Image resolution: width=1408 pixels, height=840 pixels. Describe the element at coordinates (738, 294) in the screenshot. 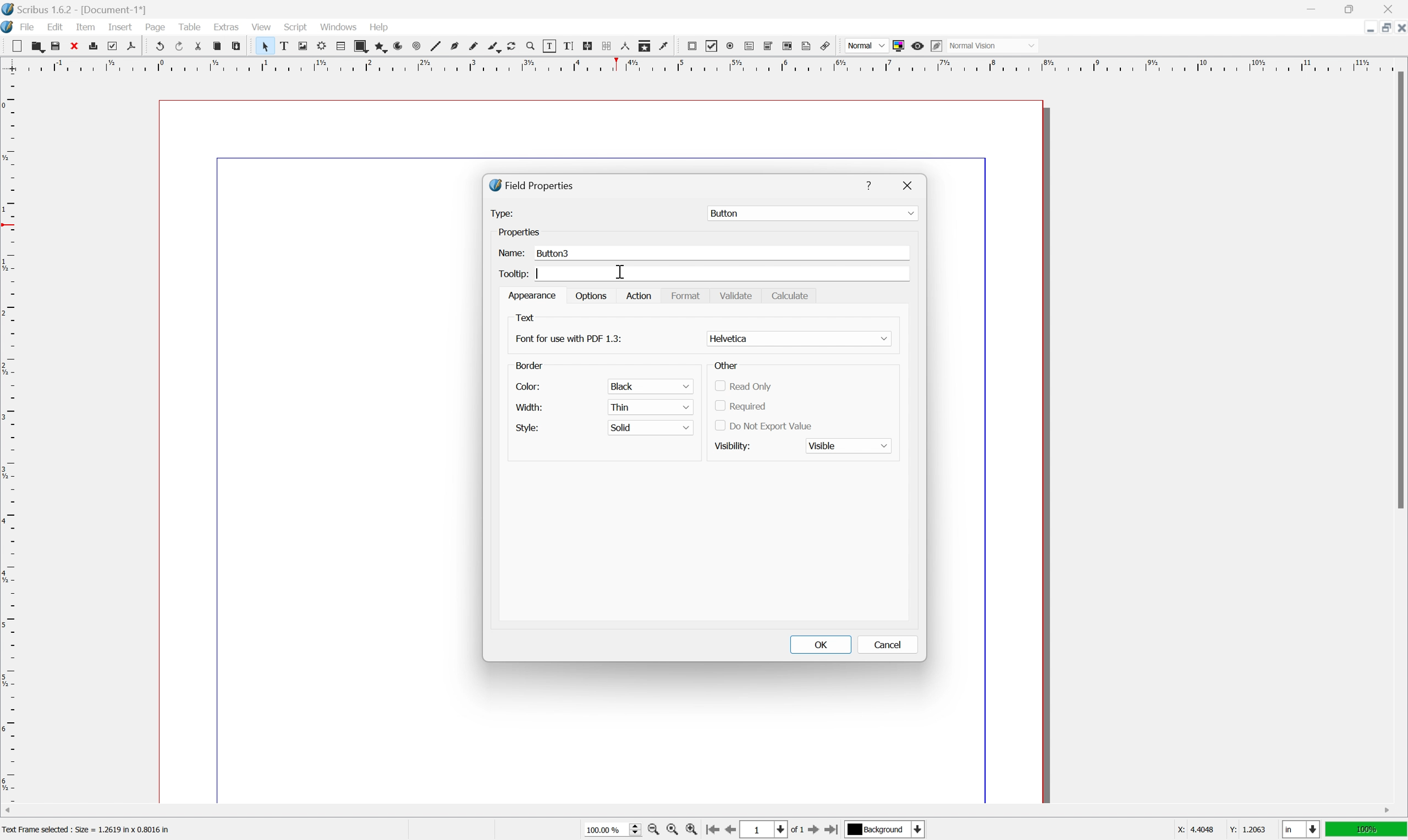

I see `Validate` at that location.